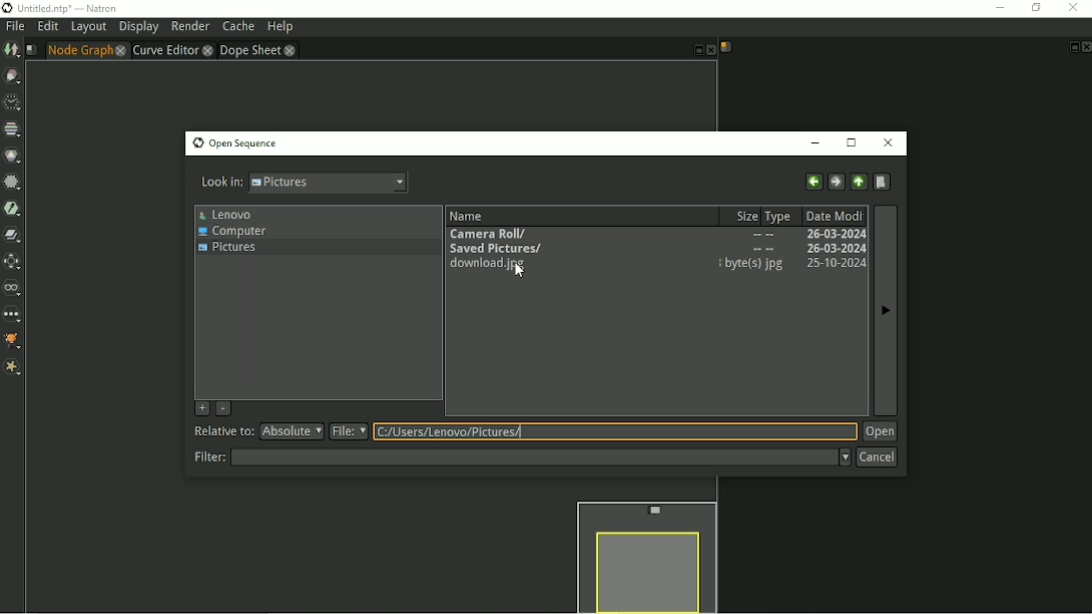 Image resolution: width=1092 pixels, height=614 pixels. What do you see at coordinates (31, 50) in the screenshot?
I see `Script name` at bounding box center [31, 50].